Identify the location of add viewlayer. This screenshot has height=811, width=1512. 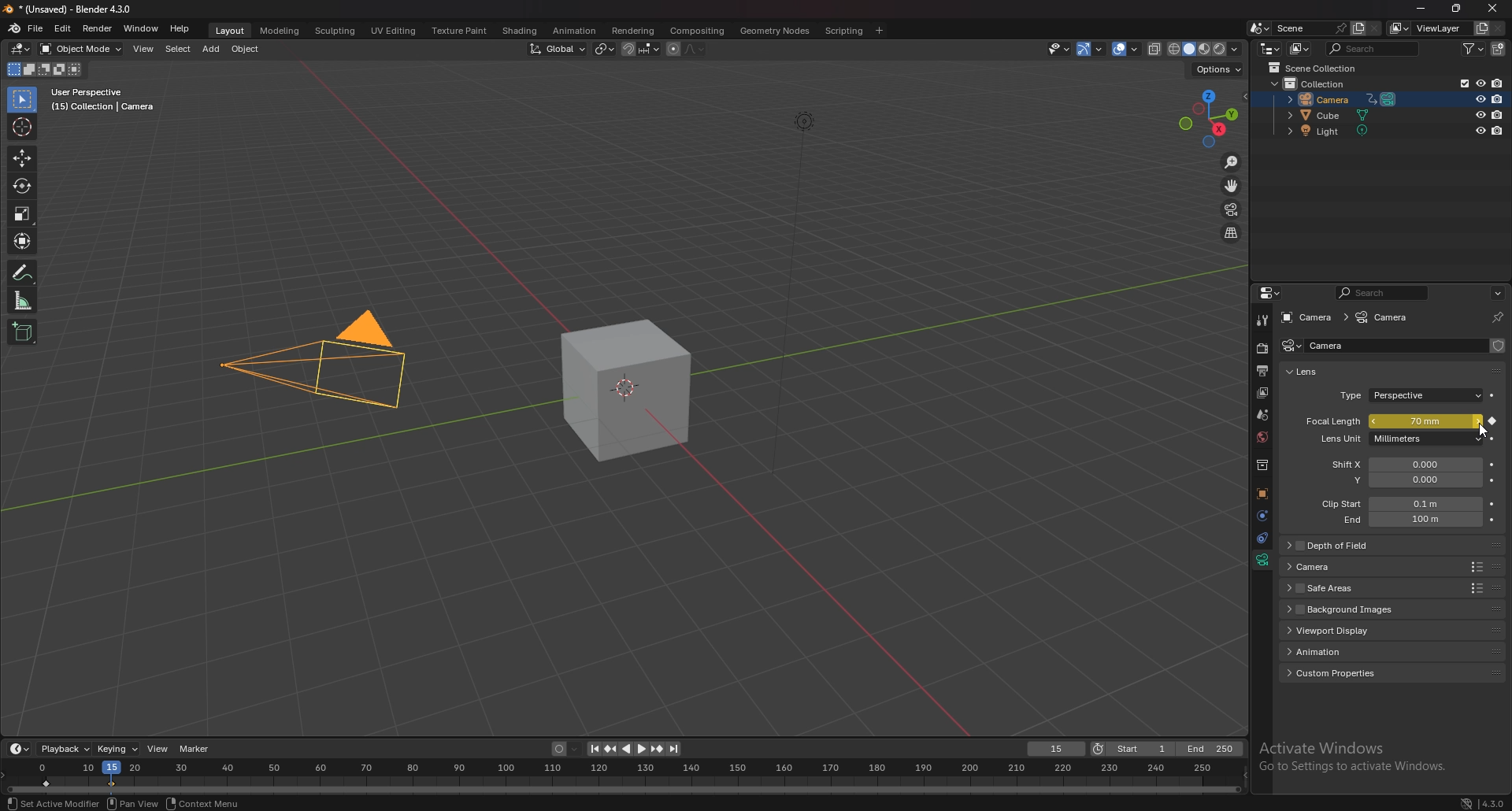
(1481, 27).